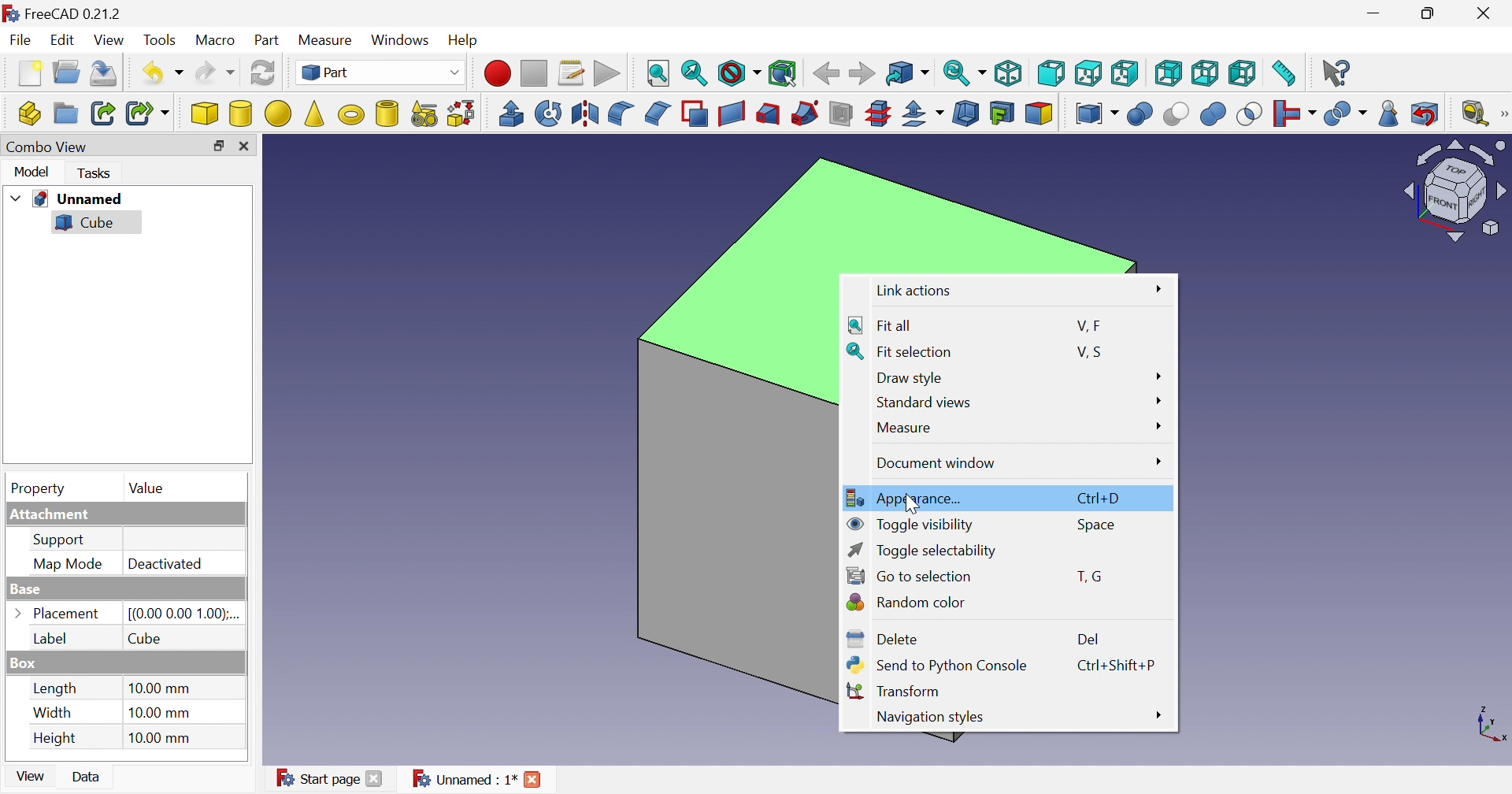 The image size is (1512, 794). I want to click on Draw style, so click(911, 377).